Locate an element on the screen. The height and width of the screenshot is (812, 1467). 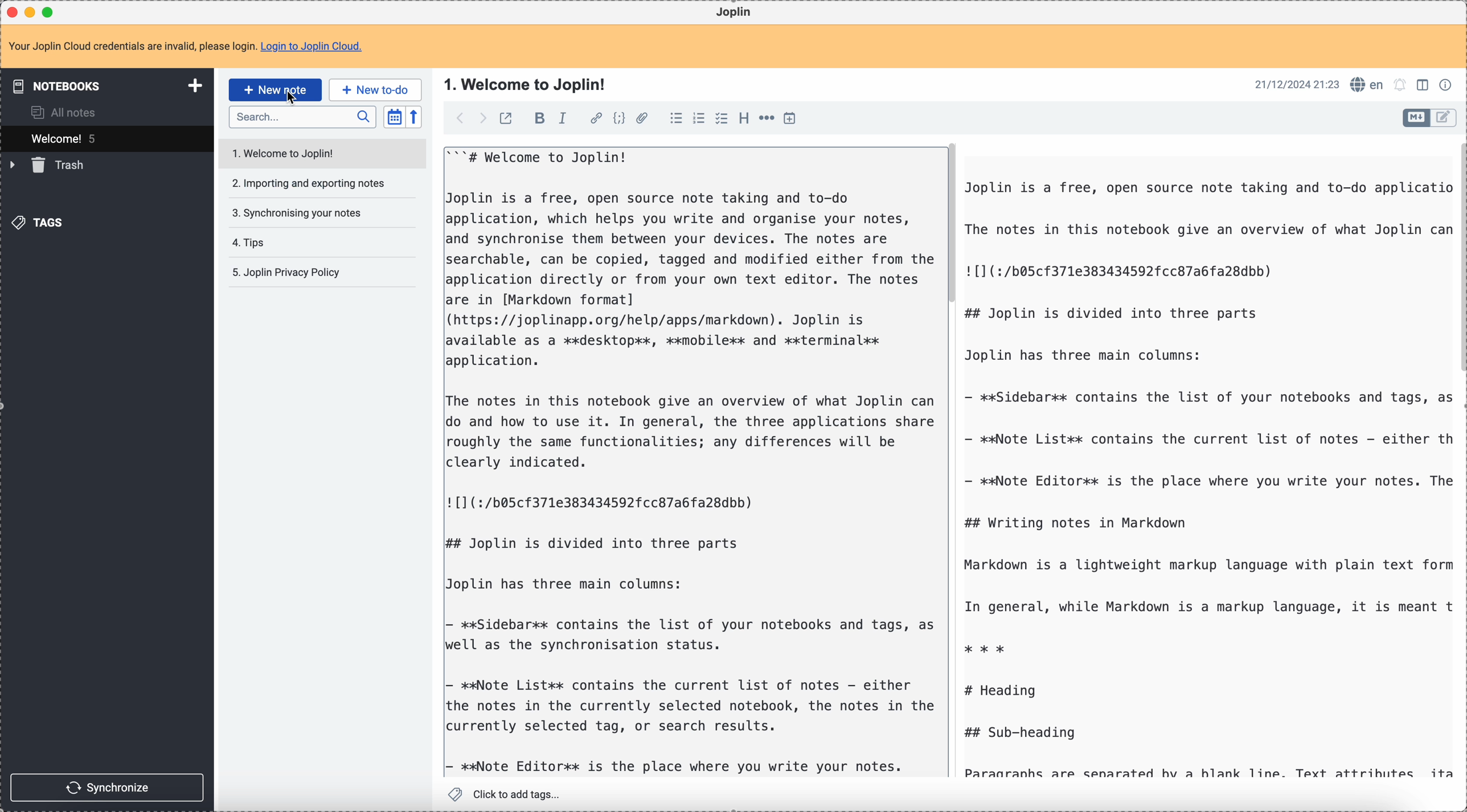
minimize is located at coordinates (32, 13).